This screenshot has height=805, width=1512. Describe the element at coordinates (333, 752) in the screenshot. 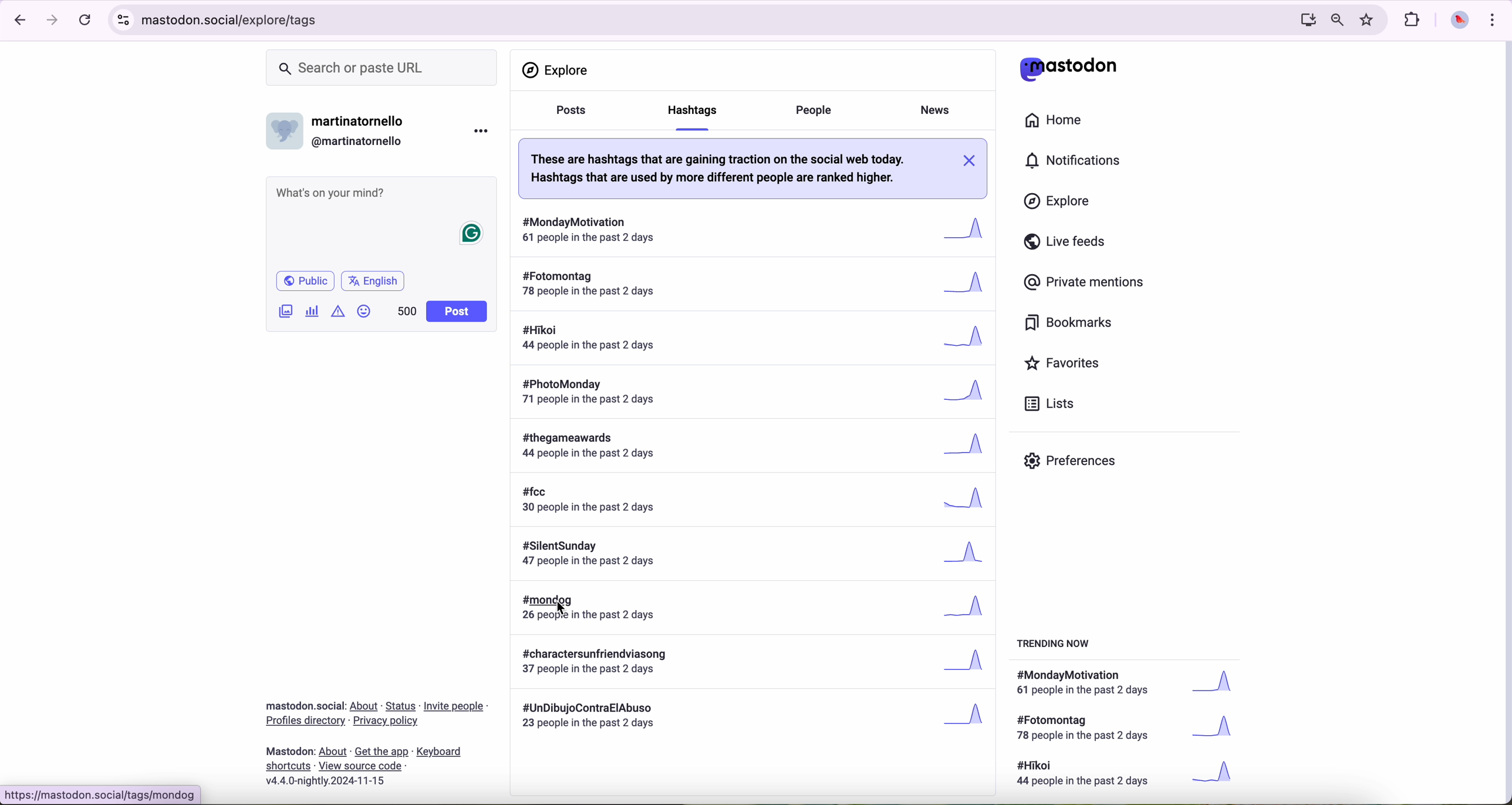

I see `link` at that location.